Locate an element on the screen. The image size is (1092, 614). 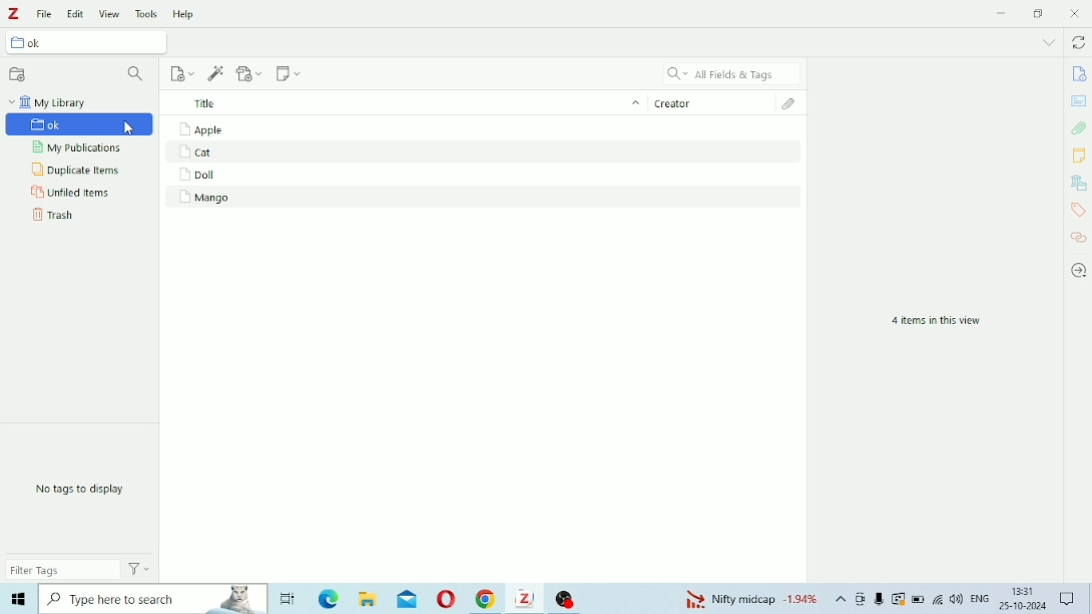
List all tabs is located at coordinates (1049, 42).